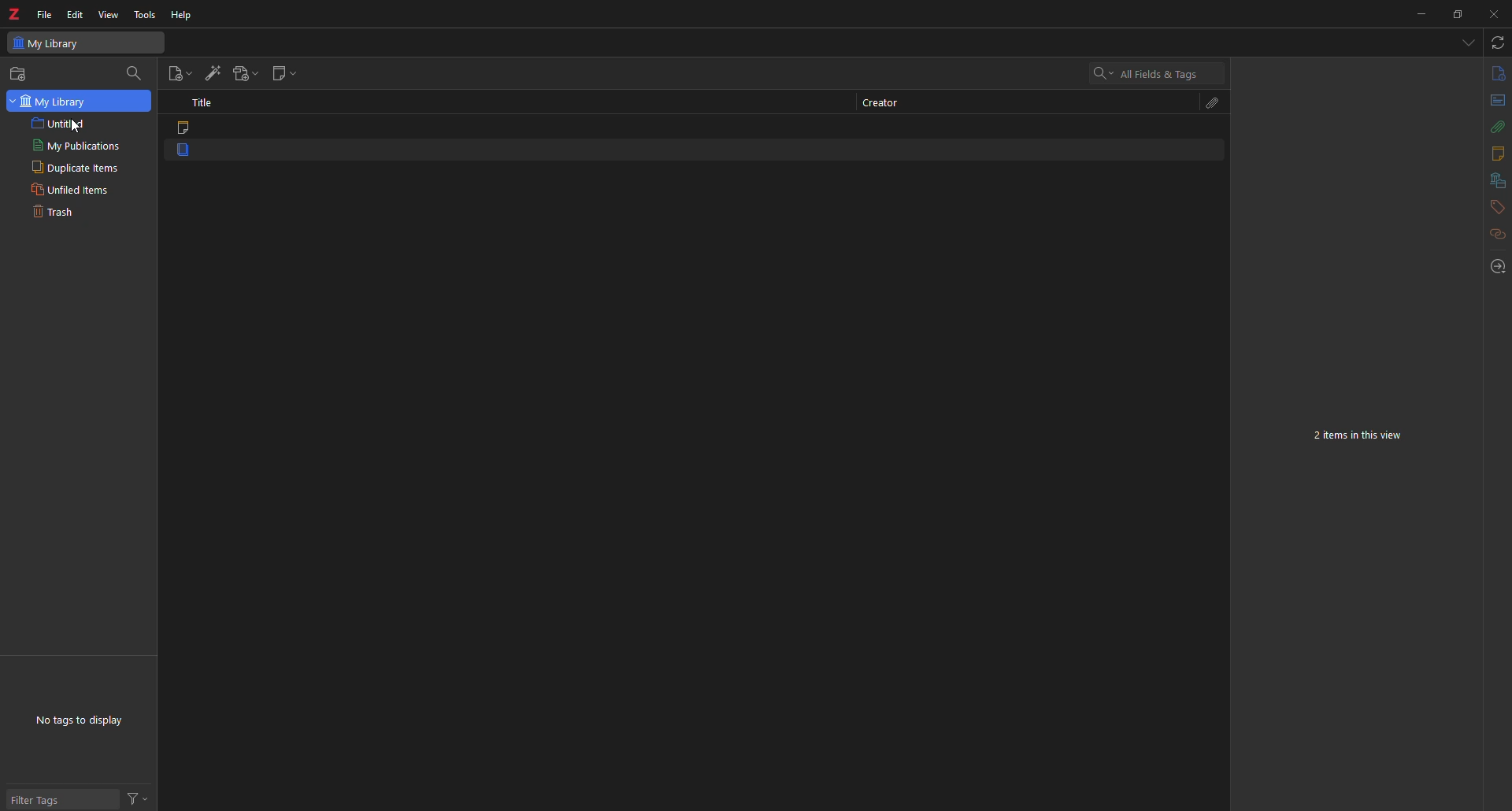  What do you see at coordinates (1497, 73) in the screenshot?
I see `info` at bounding box center [1497, 73].